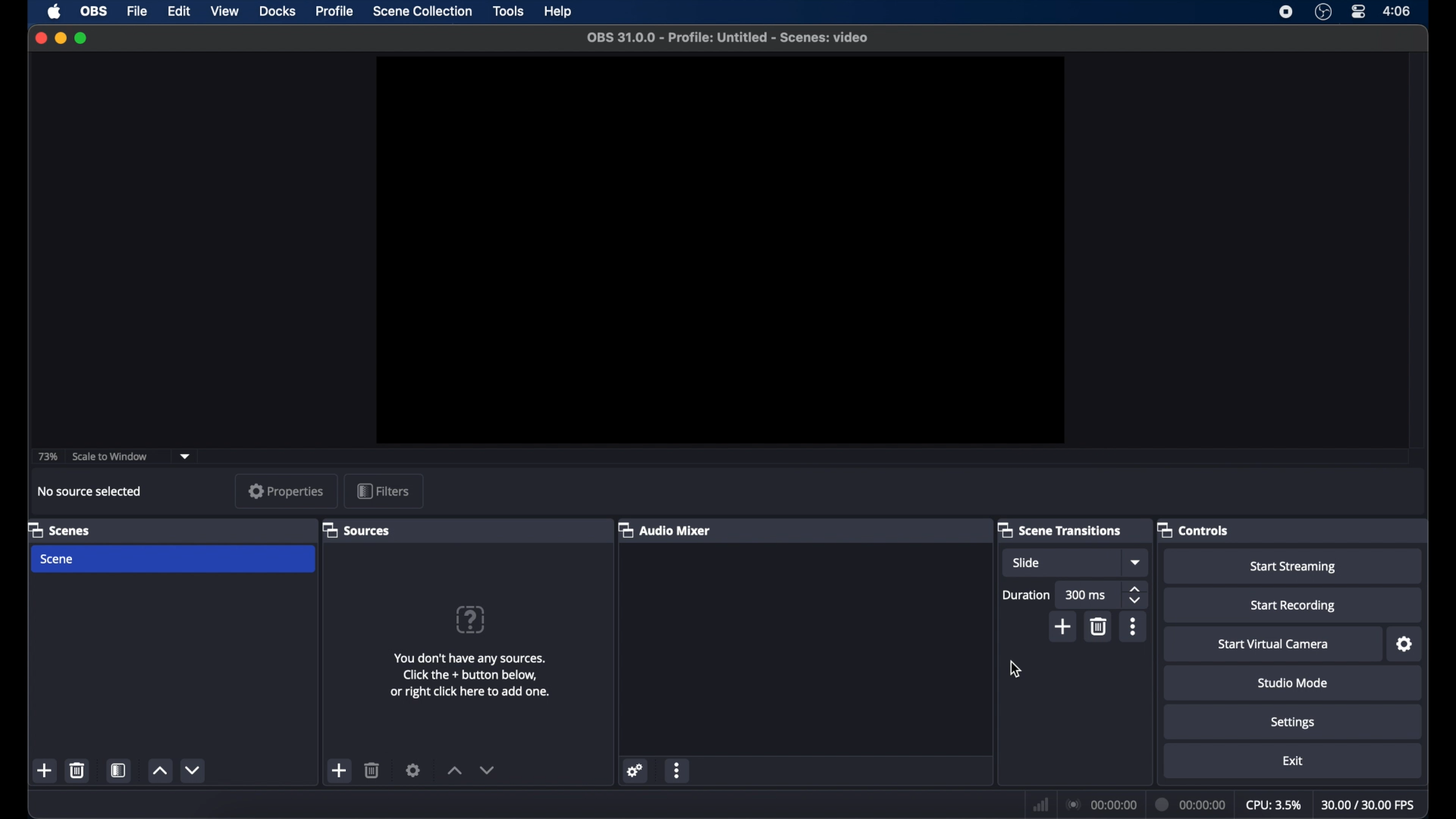 This screenshot has width=1456, height=819. I want to click on more options, so click(678, 770).